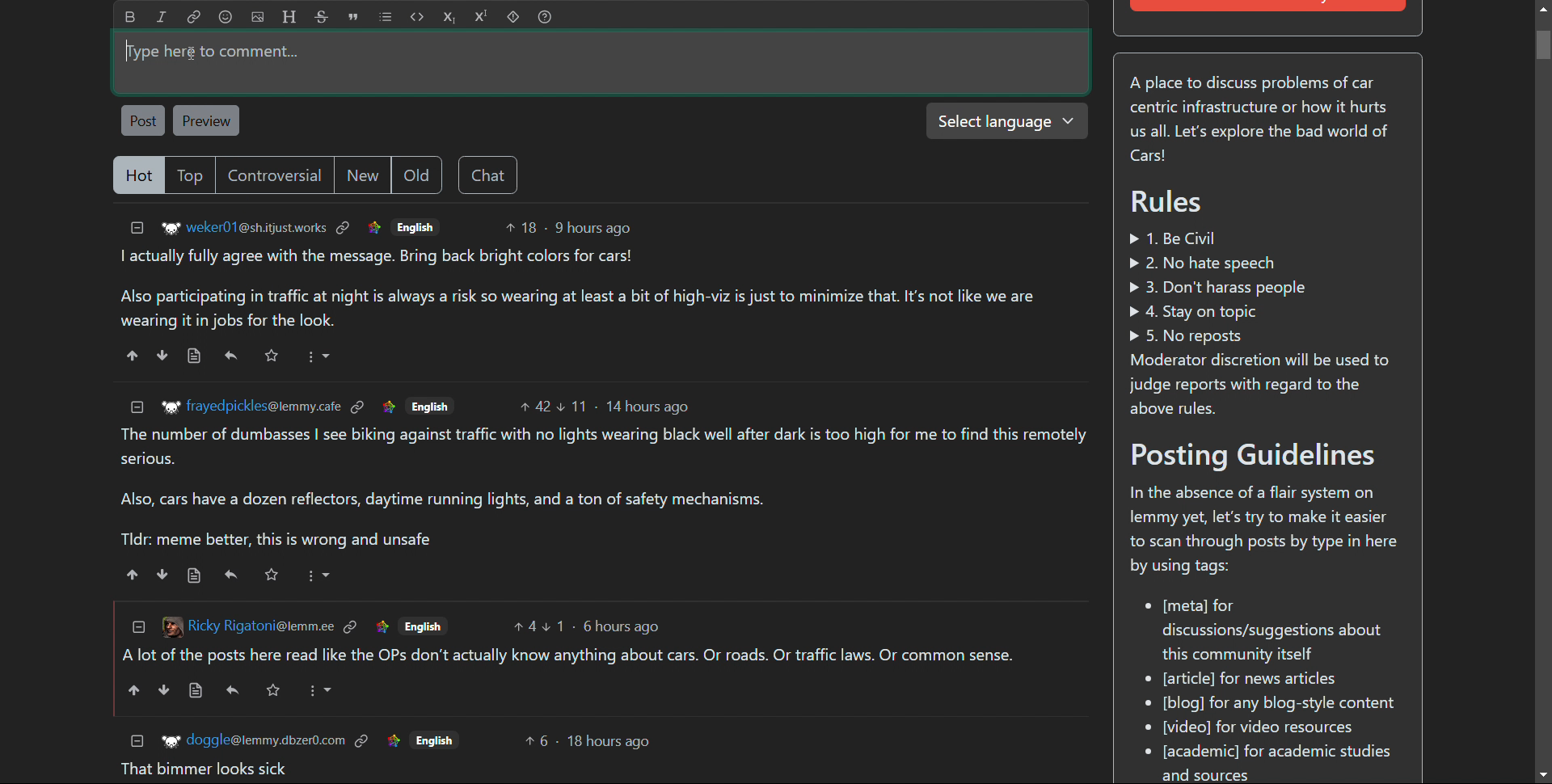  I want to click on +r doggle@lemmy.dbzer0.com, so click(252, 739).